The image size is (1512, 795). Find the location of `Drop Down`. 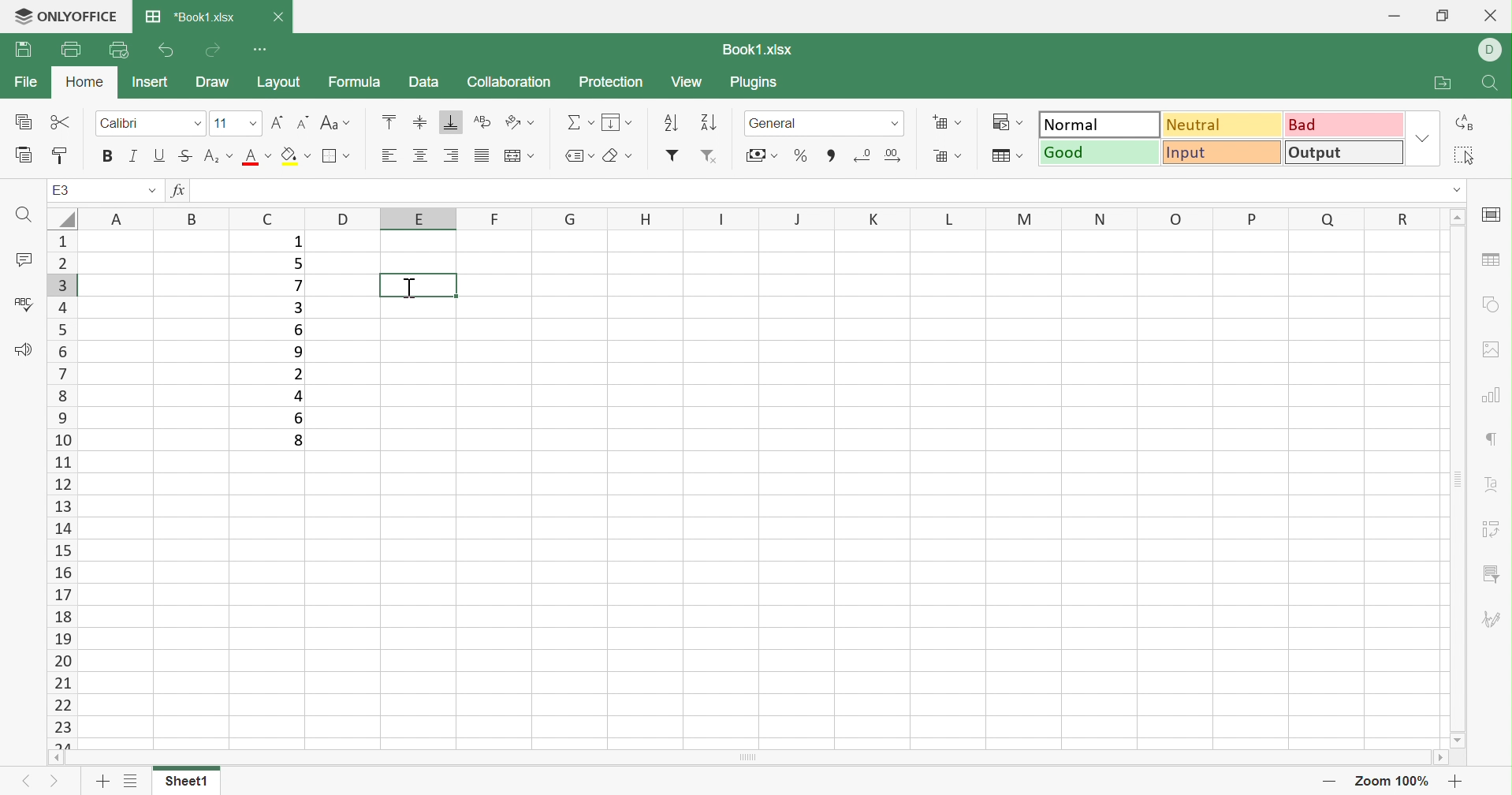

Drop Down is located at coordinates (1423, 141).